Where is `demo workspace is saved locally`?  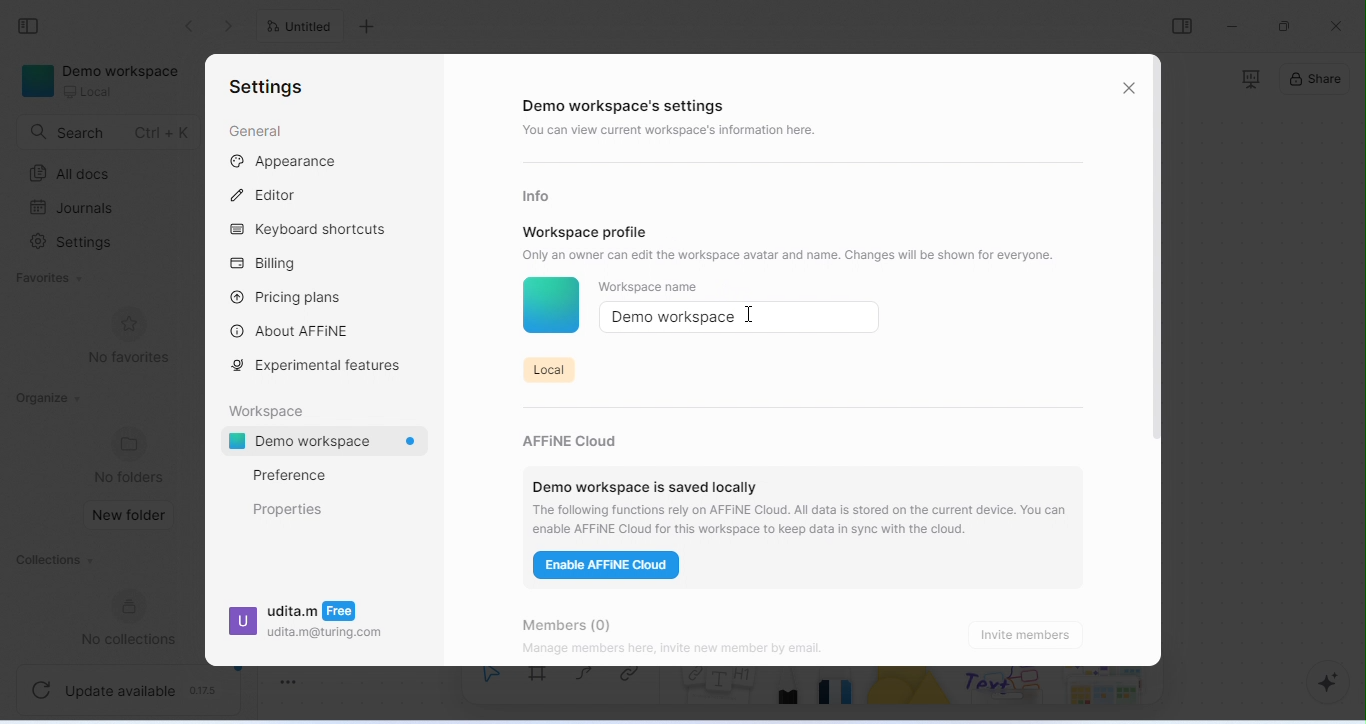 demo workspace is saved locally is located at coordinates (645, 481).